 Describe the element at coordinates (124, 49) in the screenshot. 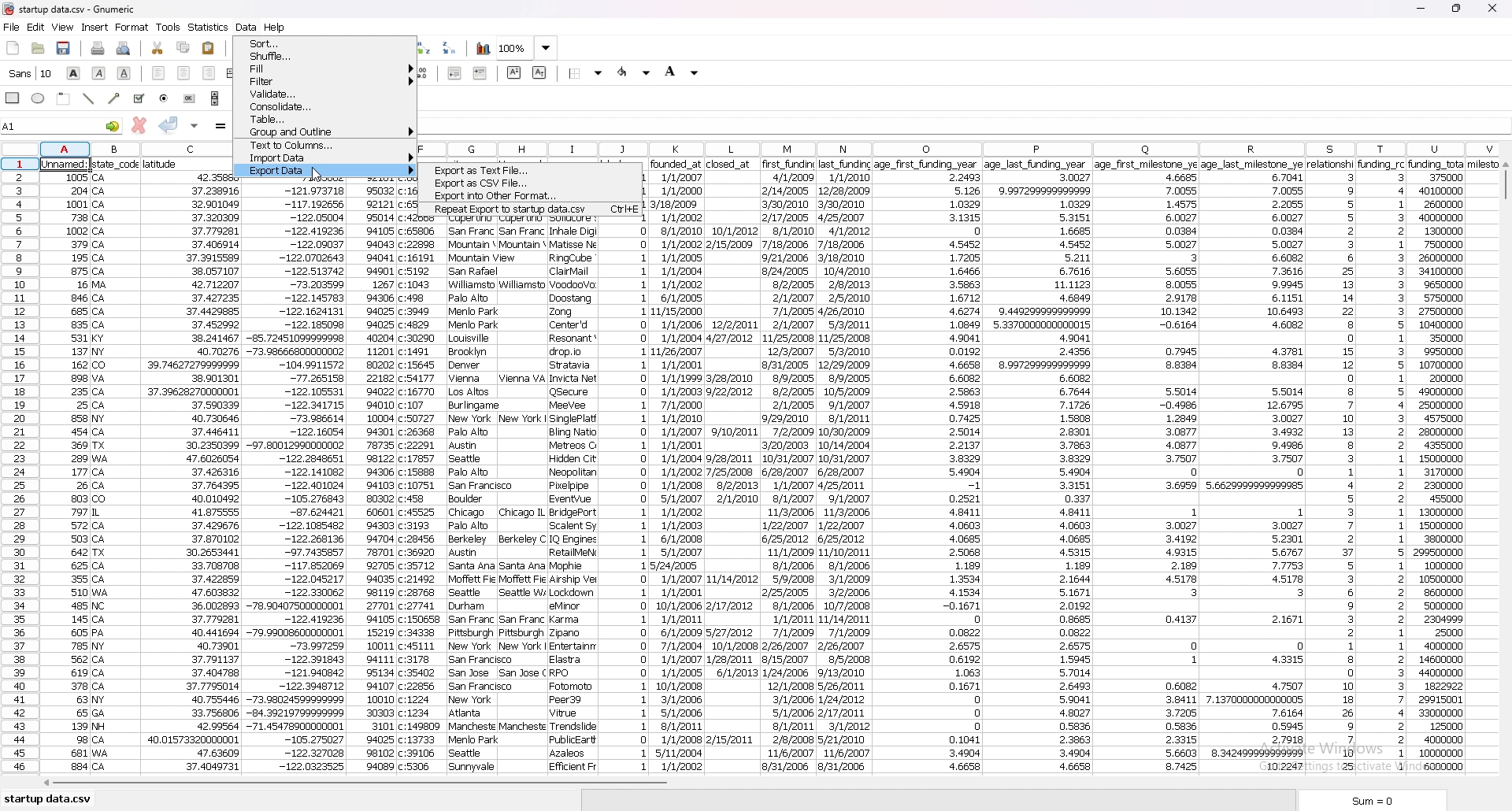

I see `print preview` at that location.